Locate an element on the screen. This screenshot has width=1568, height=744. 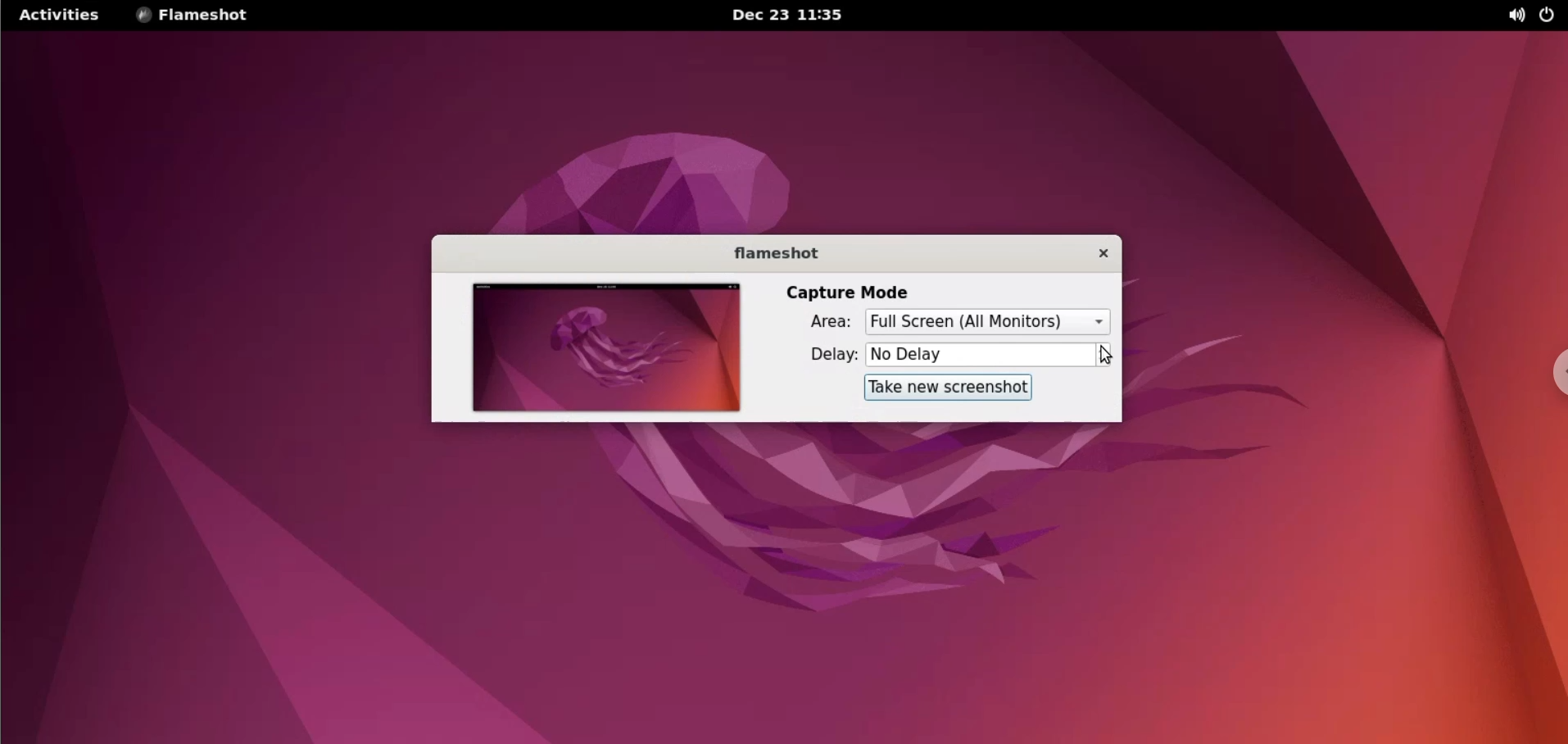
flameshot is located at coordinates (202, 17).